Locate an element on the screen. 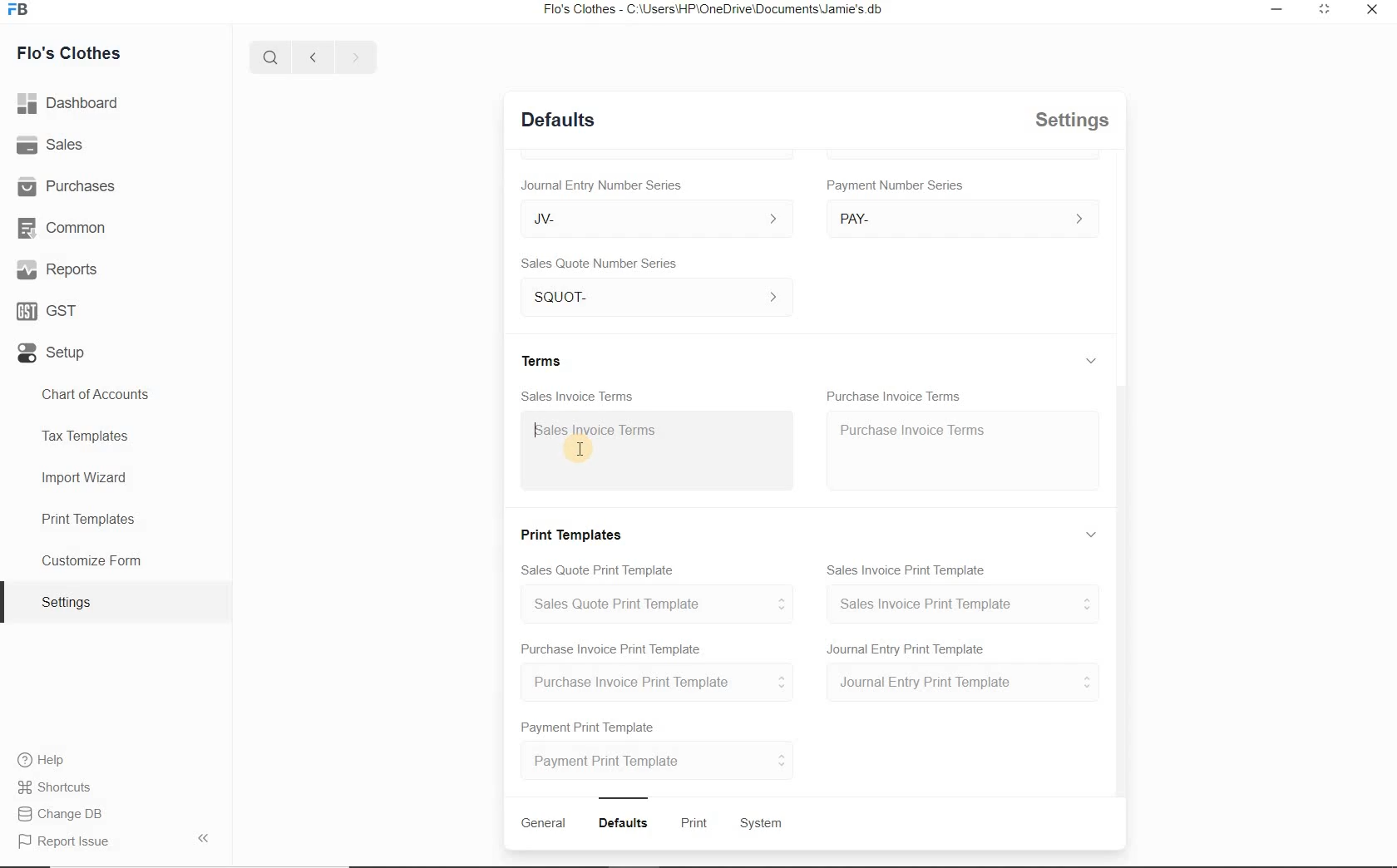 Image resolution: width=1397 pixels, height=868 pixels. Sales Quote Print Template is located at coordinates (664, 604).